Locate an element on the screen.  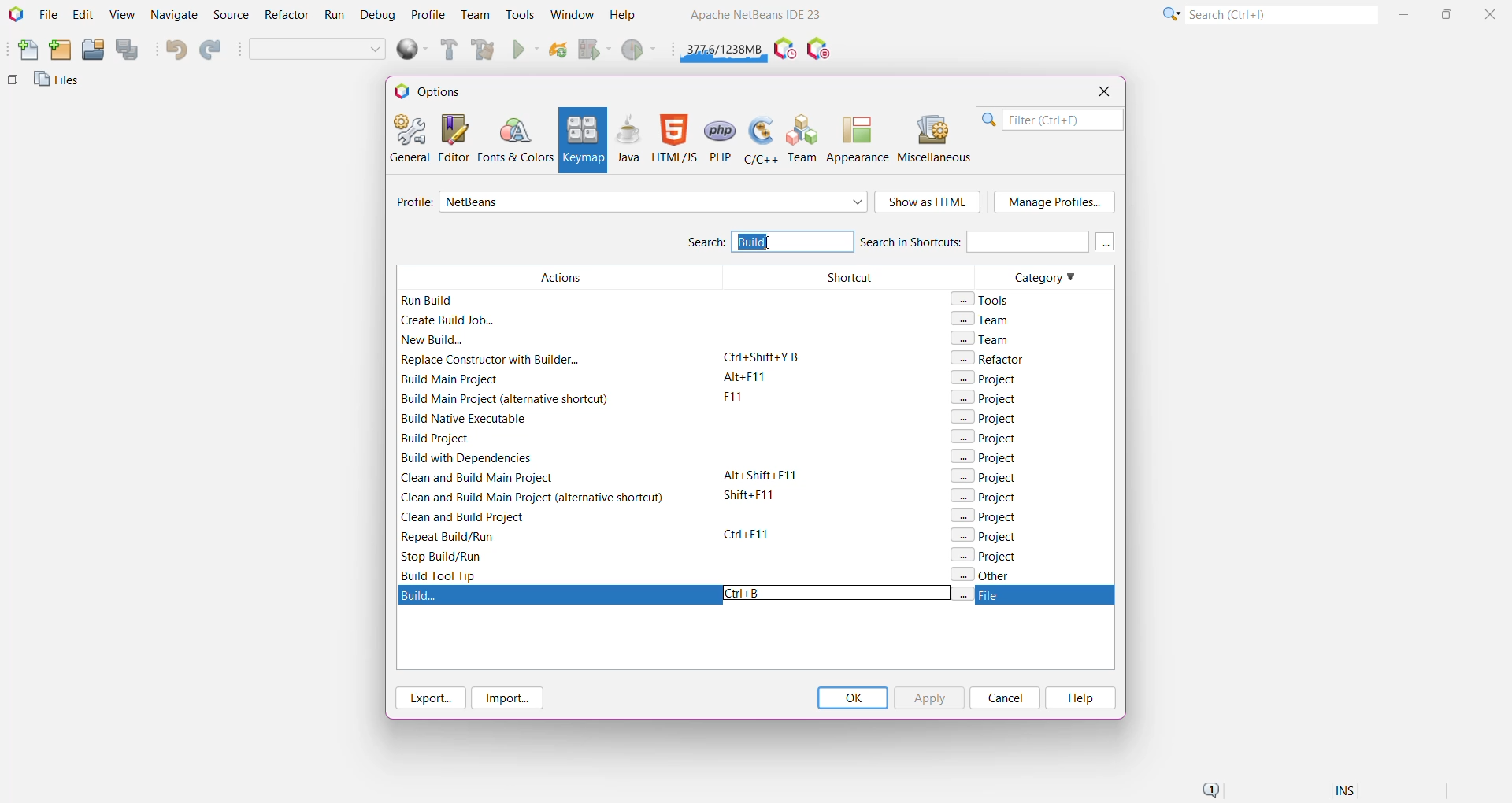
Open Project is located at coordinates (92, 50).